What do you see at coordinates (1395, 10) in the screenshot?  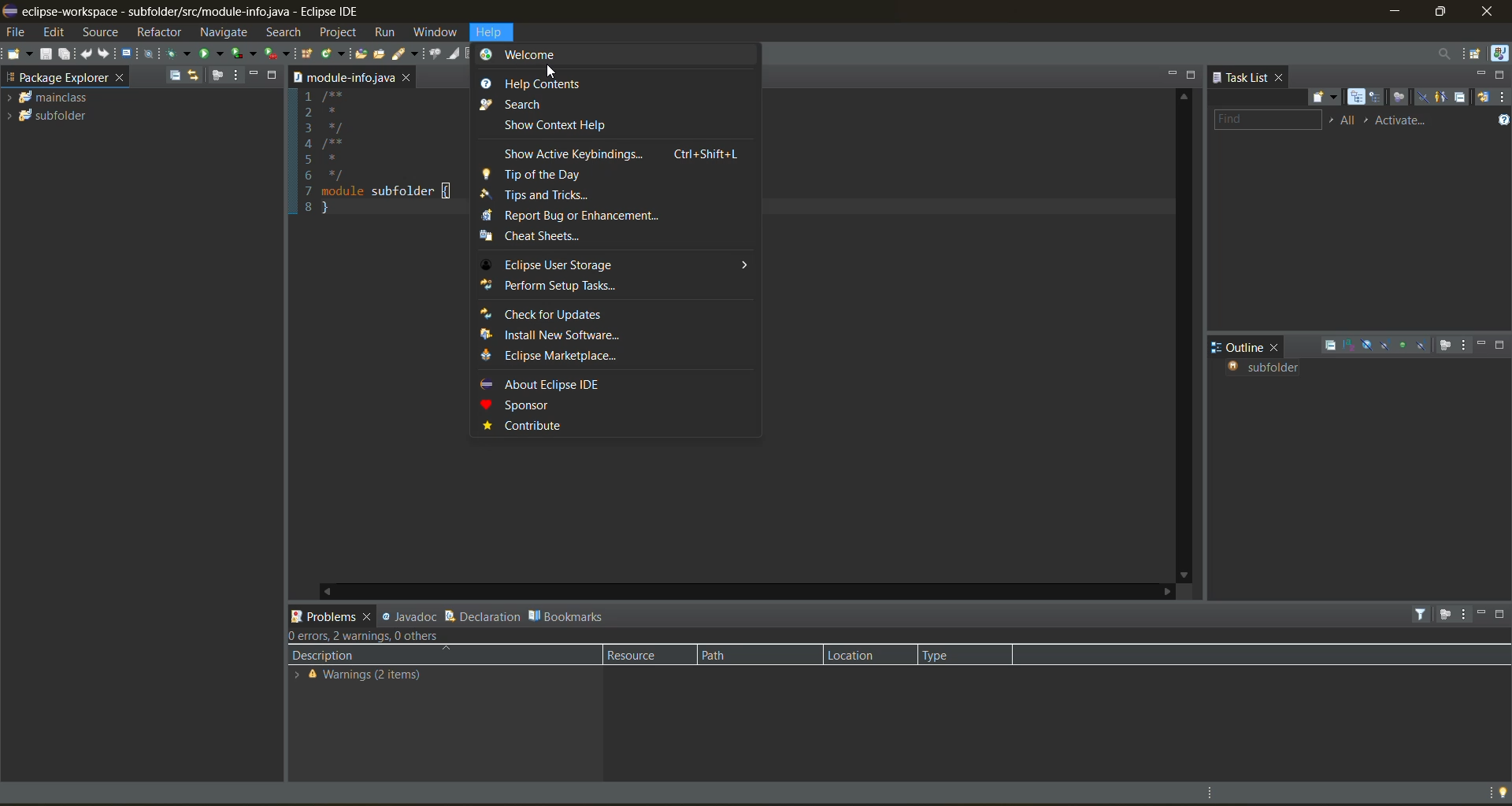 I see `minimize` at bounding box center [1395, 10].